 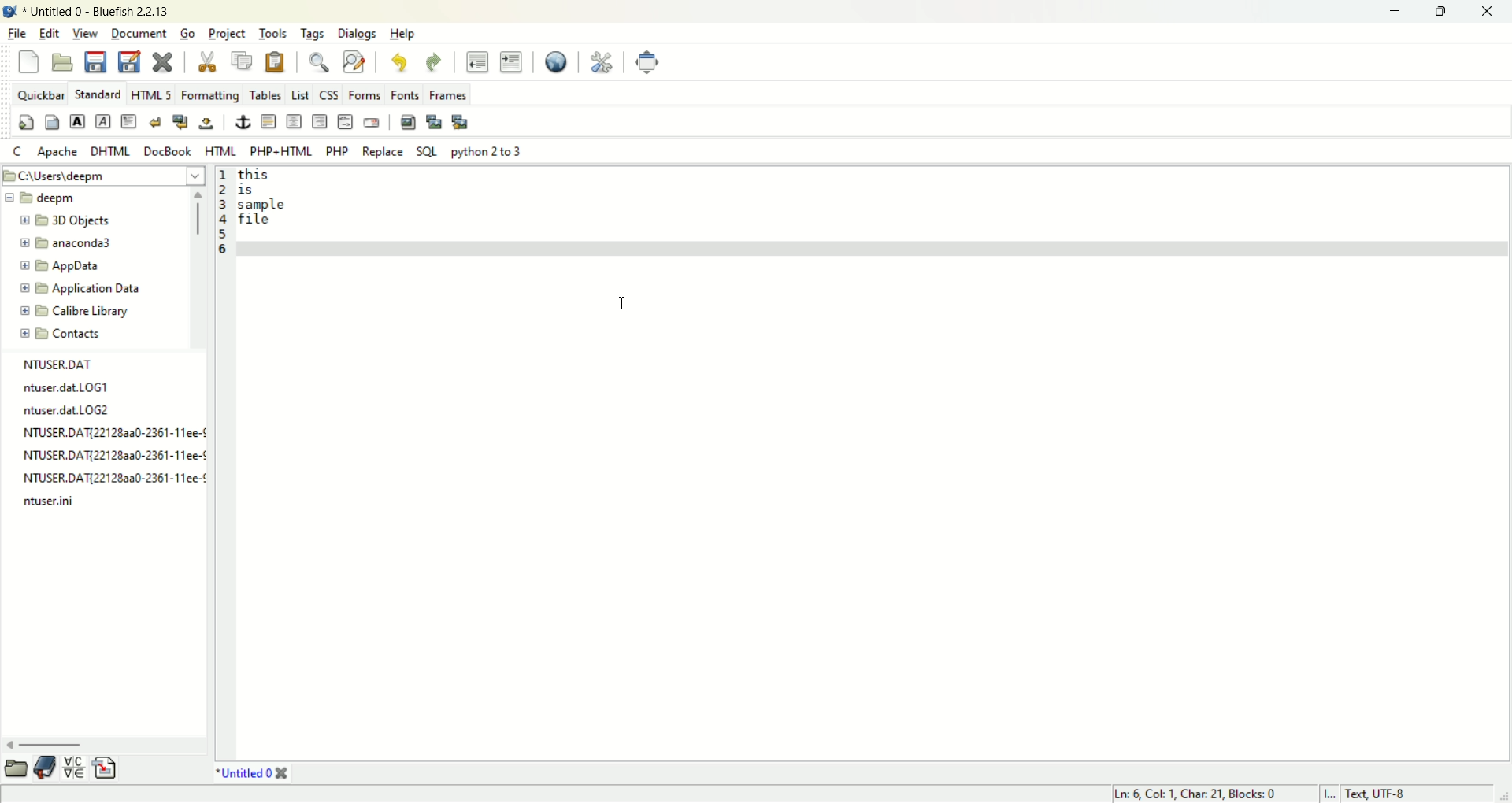 What do you see at coordinates (227, 31) in the screenshot?
I see `projects` at bounding box center [227, 31].